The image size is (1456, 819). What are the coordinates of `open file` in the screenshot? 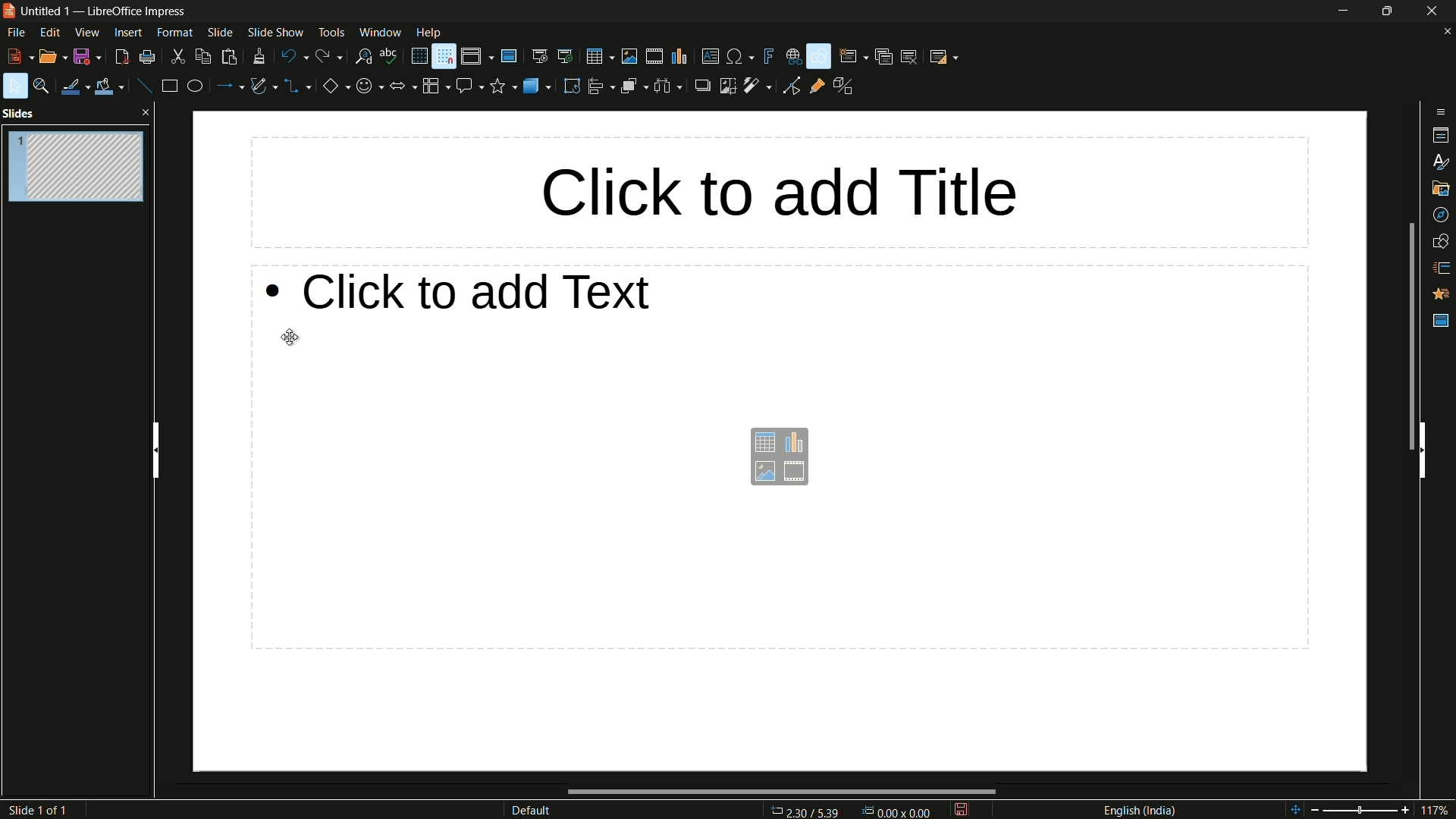 It's located at (51, 58).